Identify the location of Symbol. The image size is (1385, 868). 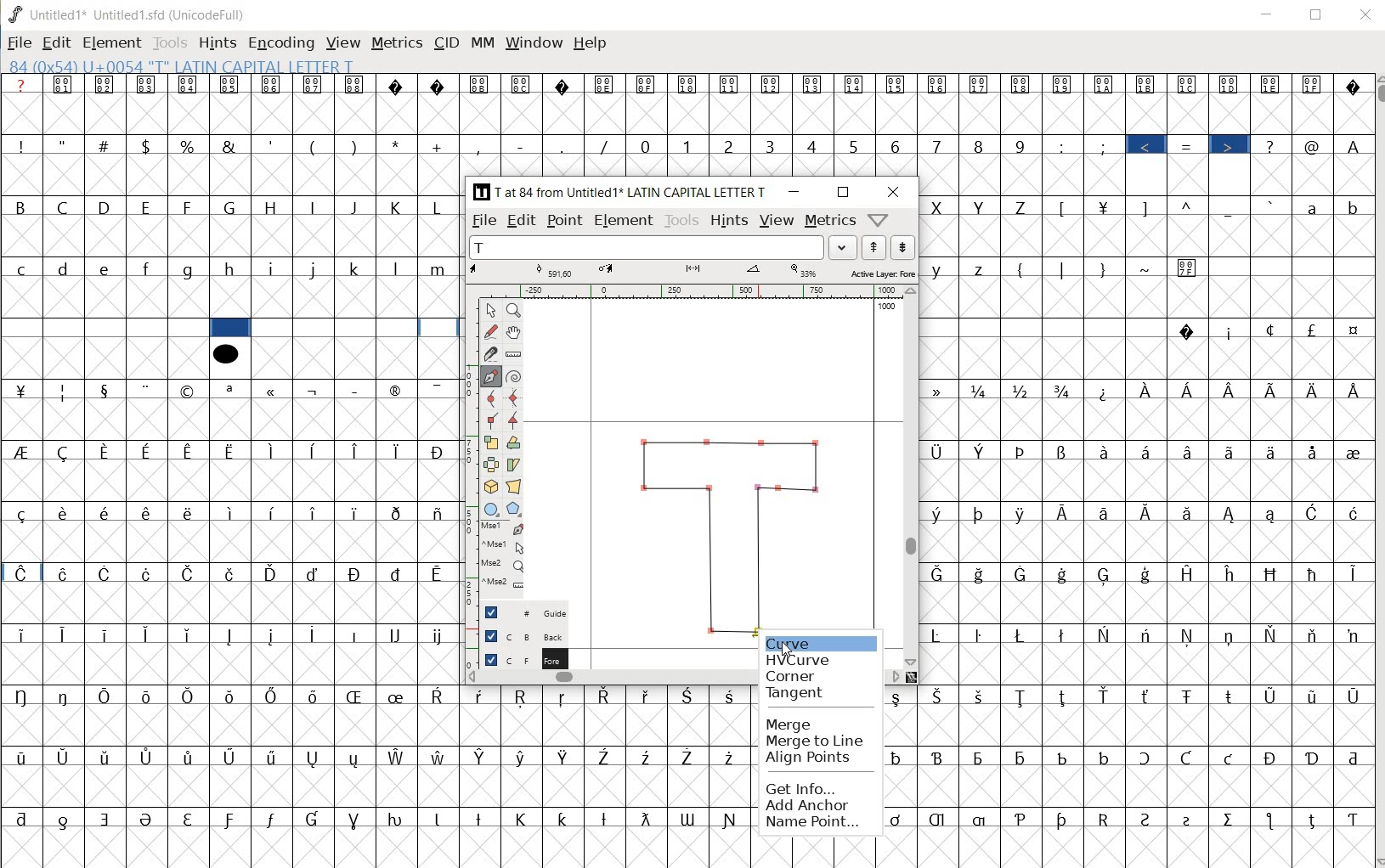
(20, 513).